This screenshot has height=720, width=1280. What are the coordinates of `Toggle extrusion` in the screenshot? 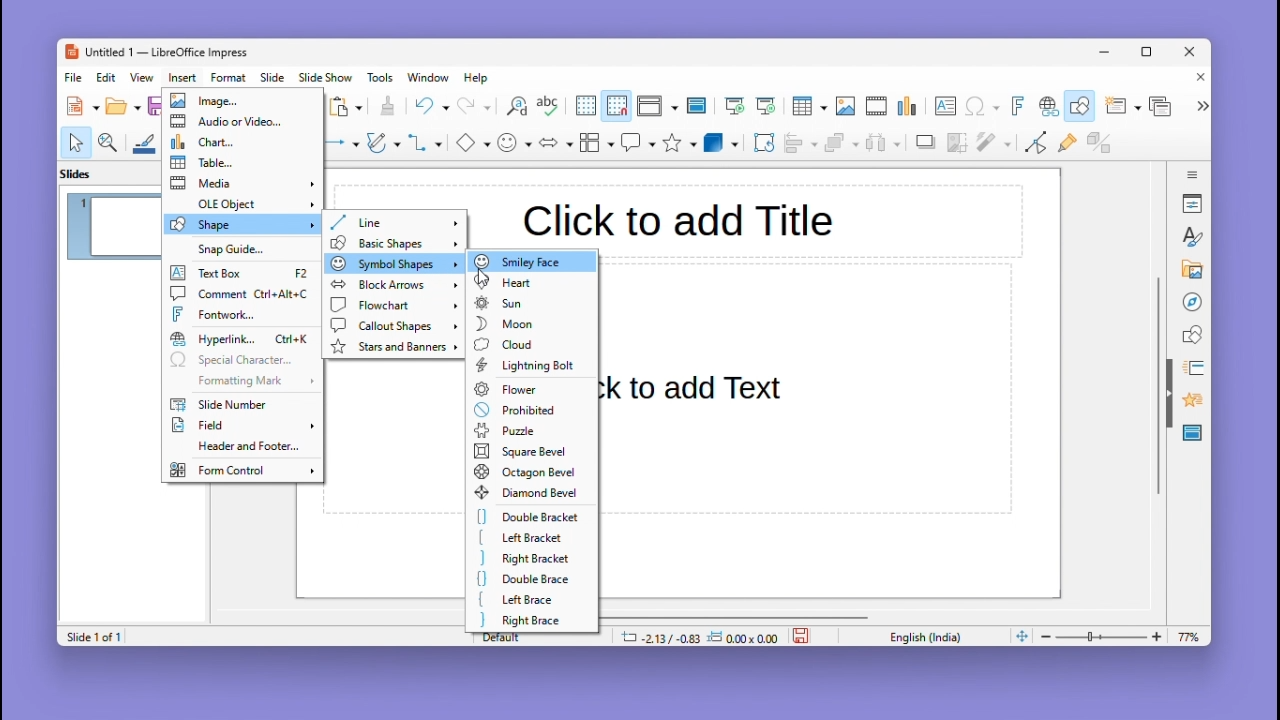 It's located at (1099, 144).